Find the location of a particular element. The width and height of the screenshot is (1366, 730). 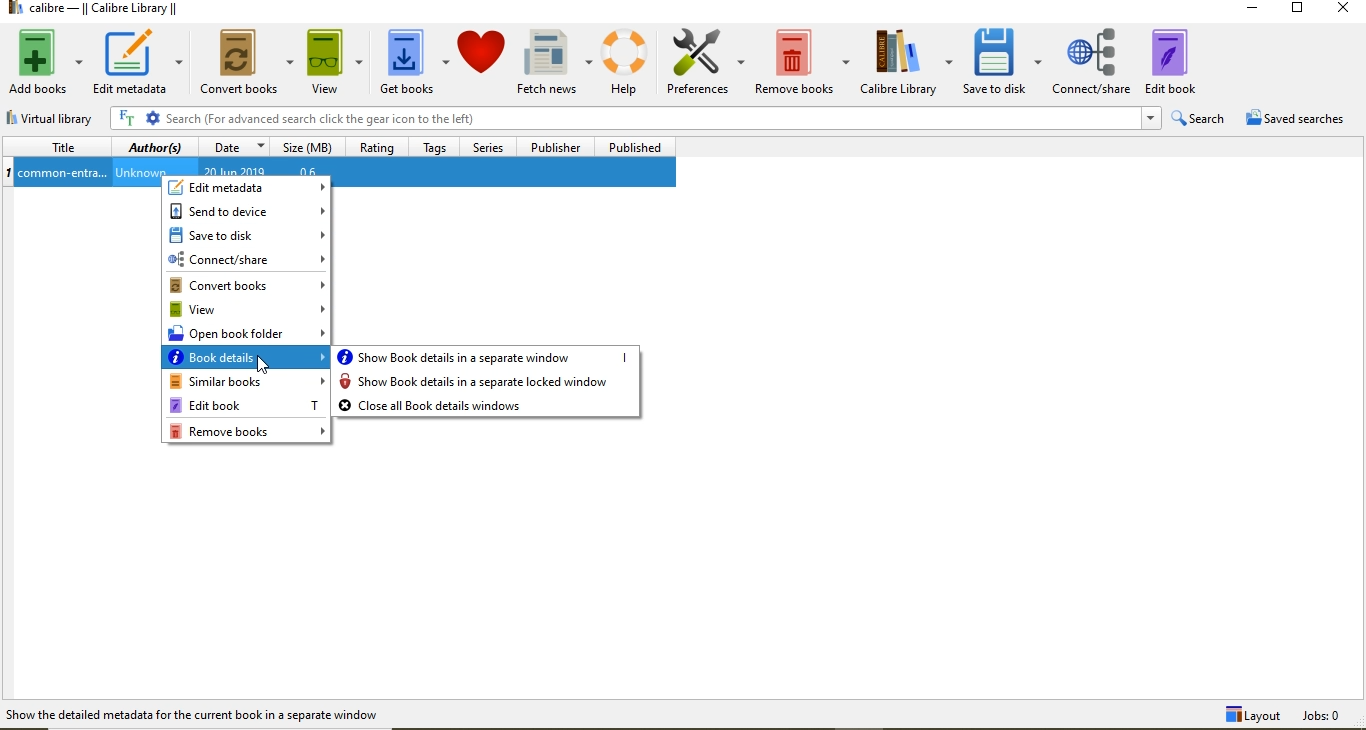

connect/share is located at coordinates (1092, 58).